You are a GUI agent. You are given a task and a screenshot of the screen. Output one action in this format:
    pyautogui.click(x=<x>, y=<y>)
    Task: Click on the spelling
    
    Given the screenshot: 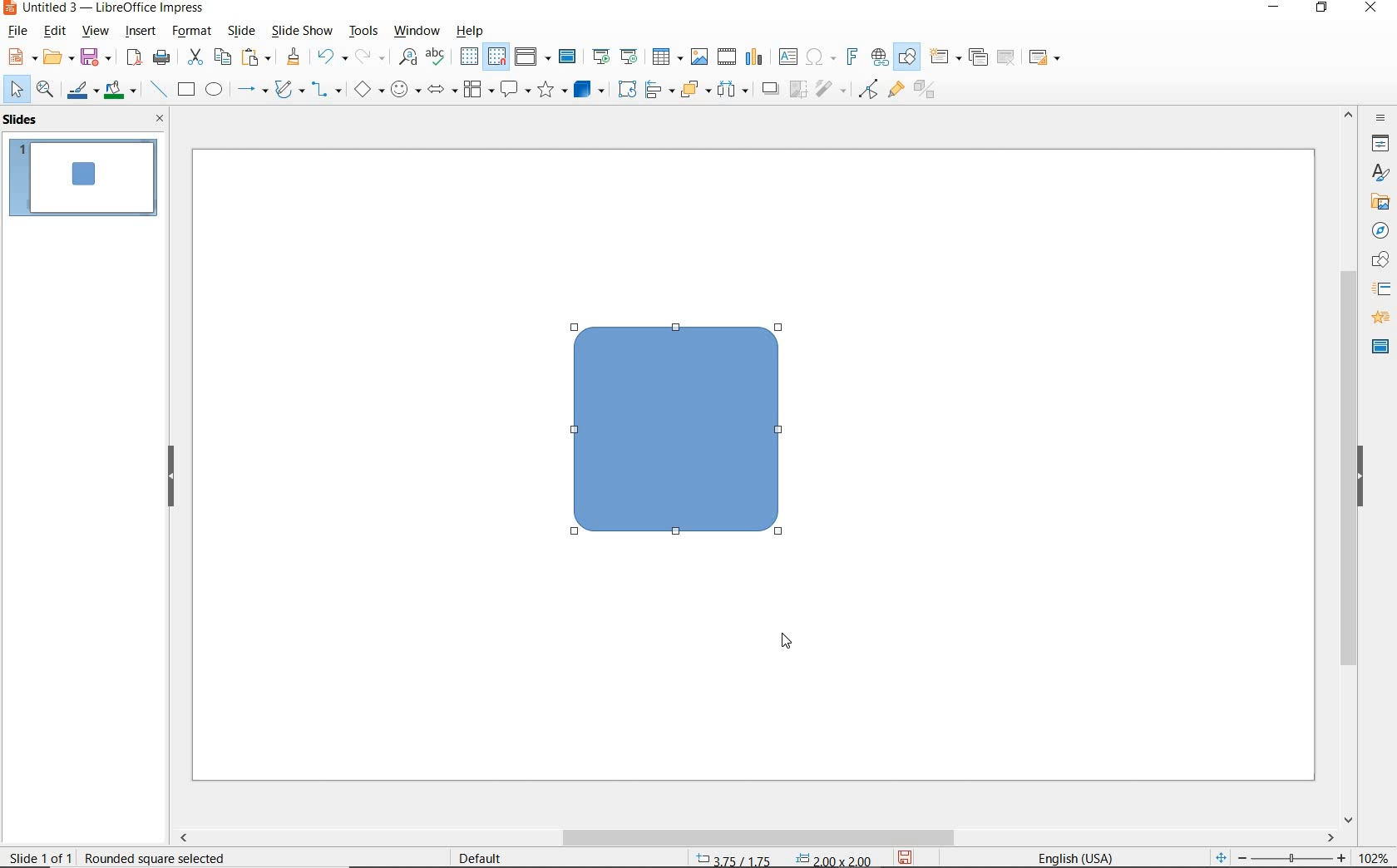 What is the action you would take?
    pyautogui.click(x=438, y=60)
    